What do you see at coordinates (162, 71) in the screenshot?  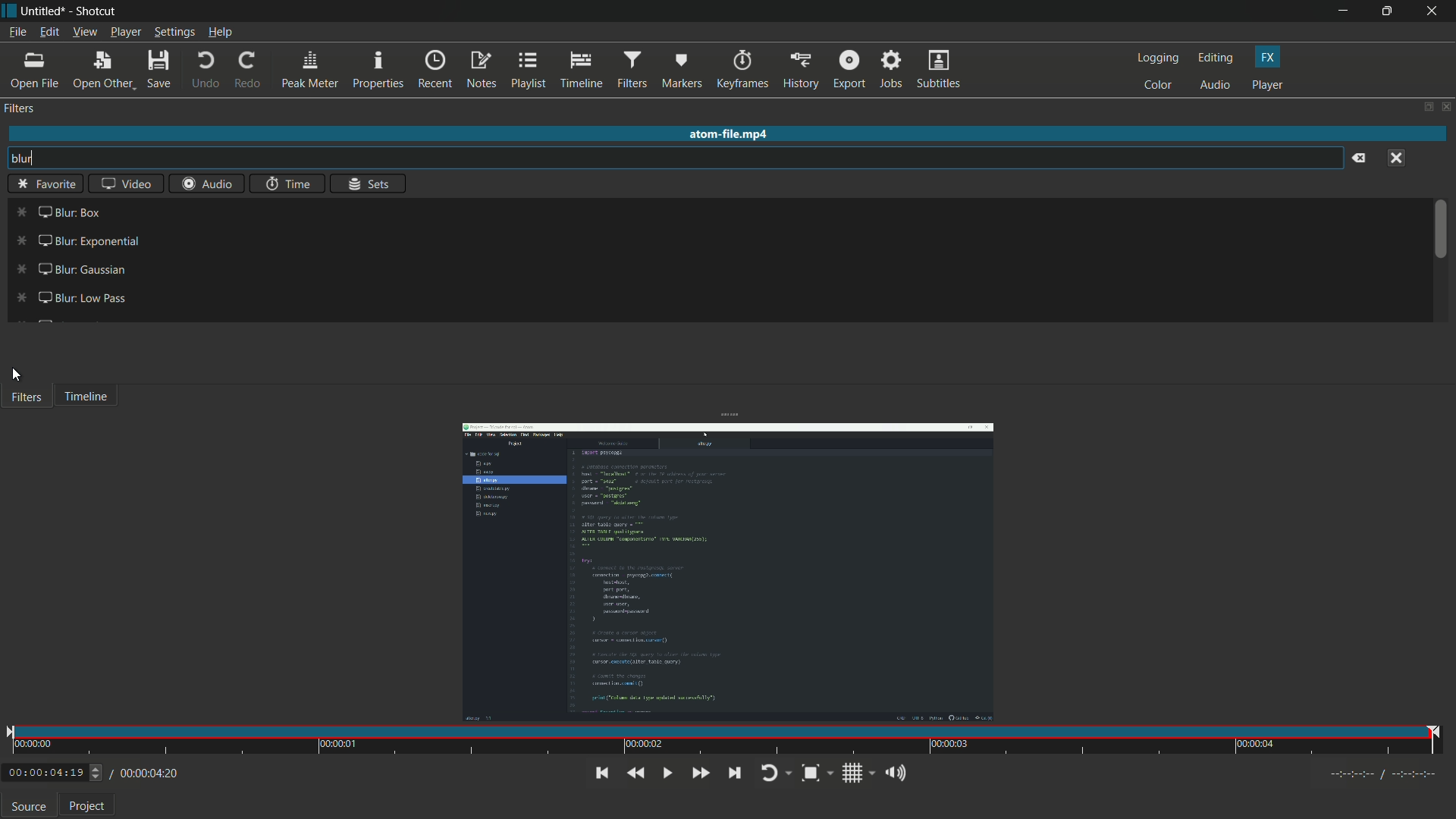 I see `save` at bounding box center [162, 71].